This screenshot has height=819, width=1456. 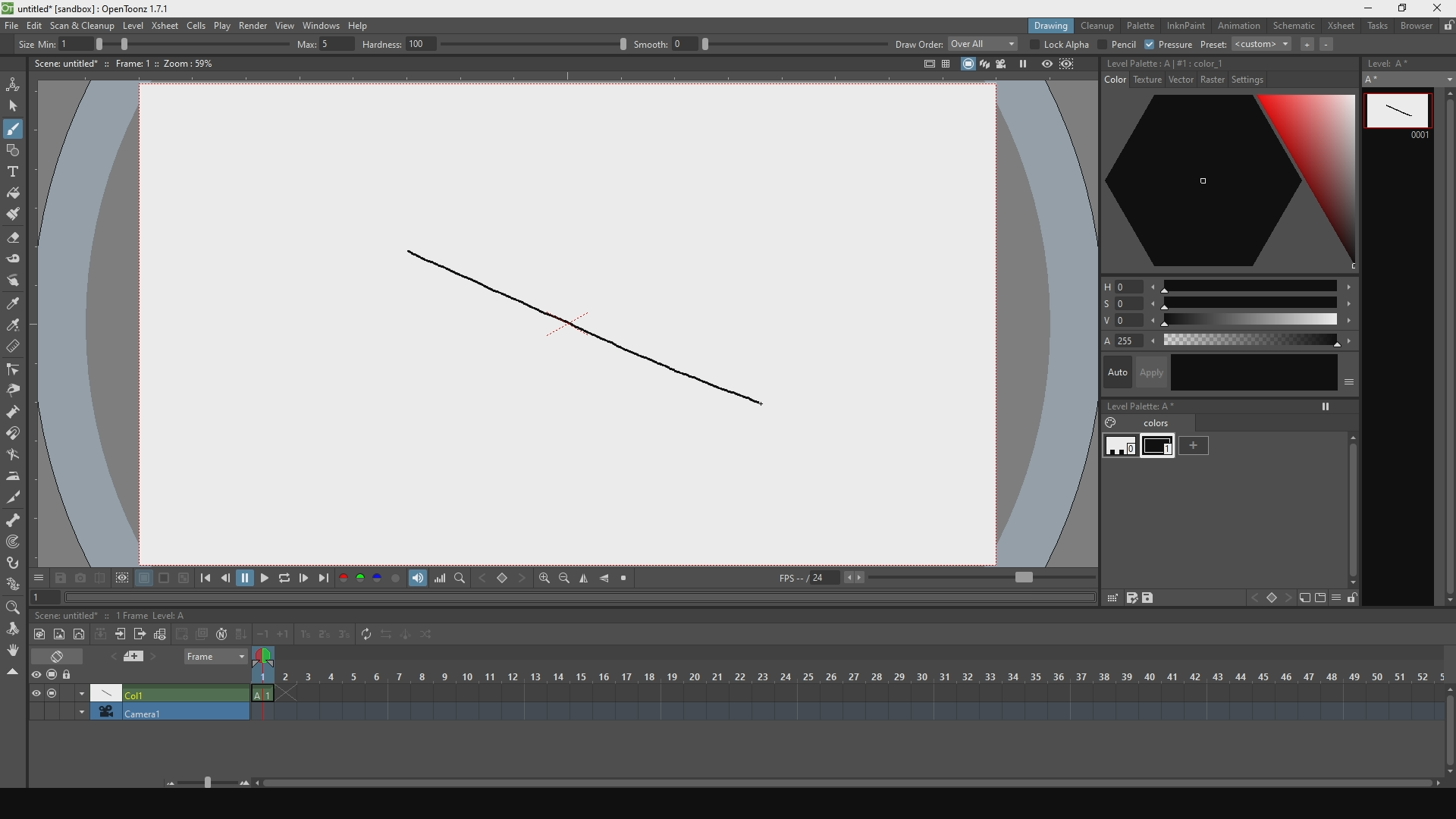 What do you see at coordinates (1153, 598) in the screenshot?
I see `save` at bounding box center [1153, 598].